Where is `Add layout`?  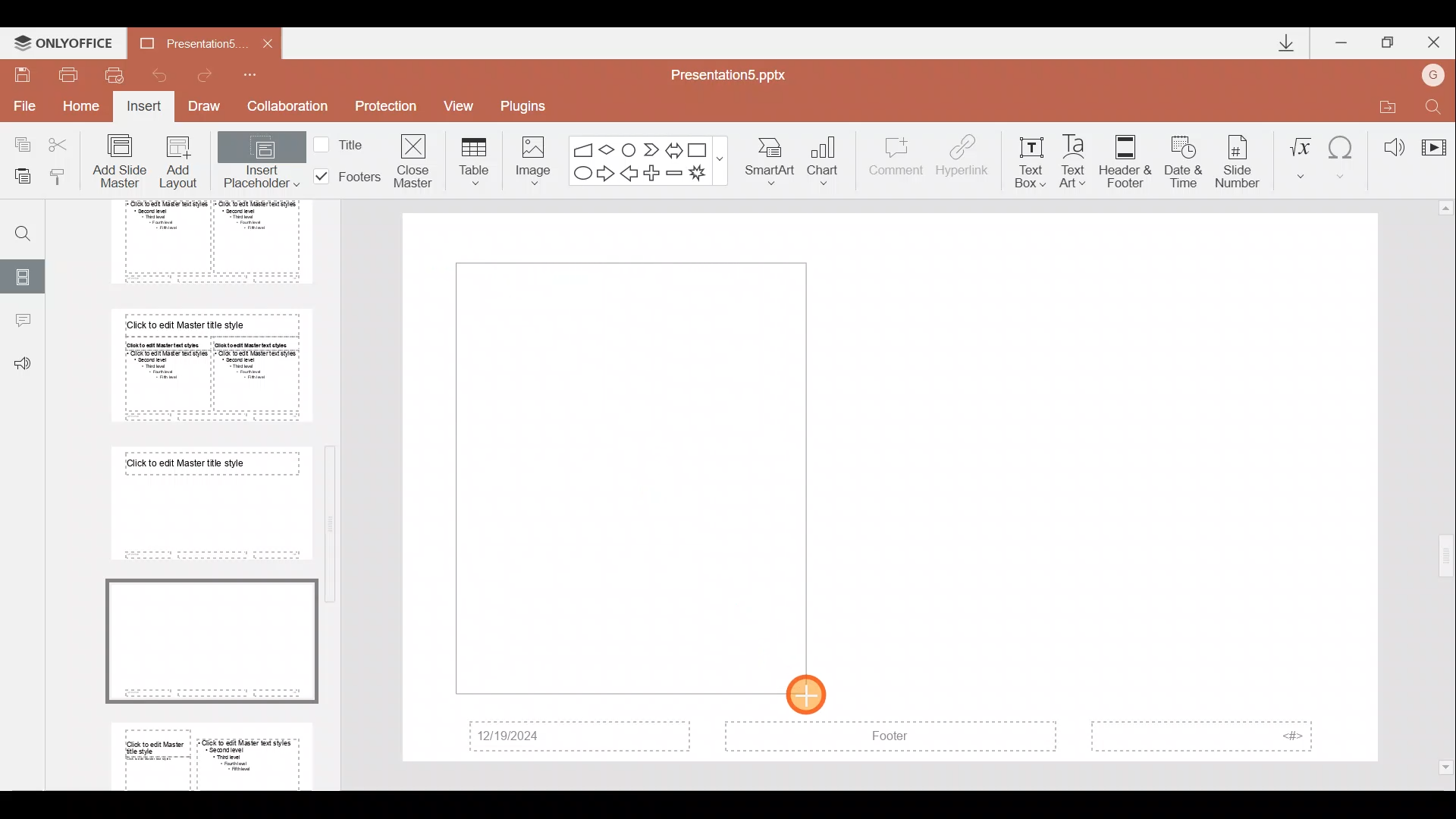
Add layout is located at coordinates (179, 165).